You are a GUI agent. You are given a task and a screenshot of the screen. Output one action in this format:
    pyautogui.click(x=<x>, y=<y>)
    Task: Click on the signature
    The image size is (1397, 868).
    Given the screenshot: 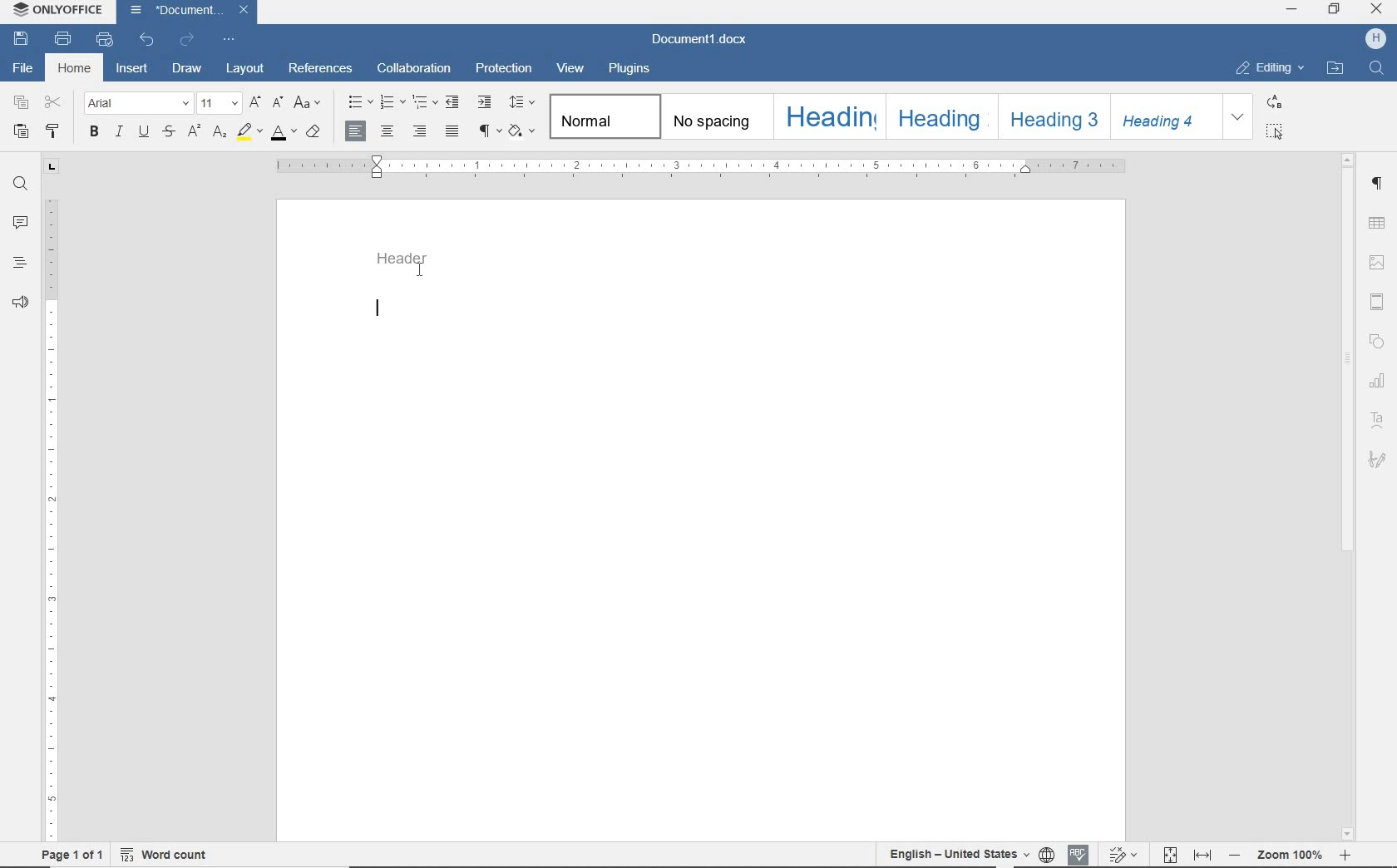 What is the action you would take?
    pyautogui.click(x=1380, y=458)
    